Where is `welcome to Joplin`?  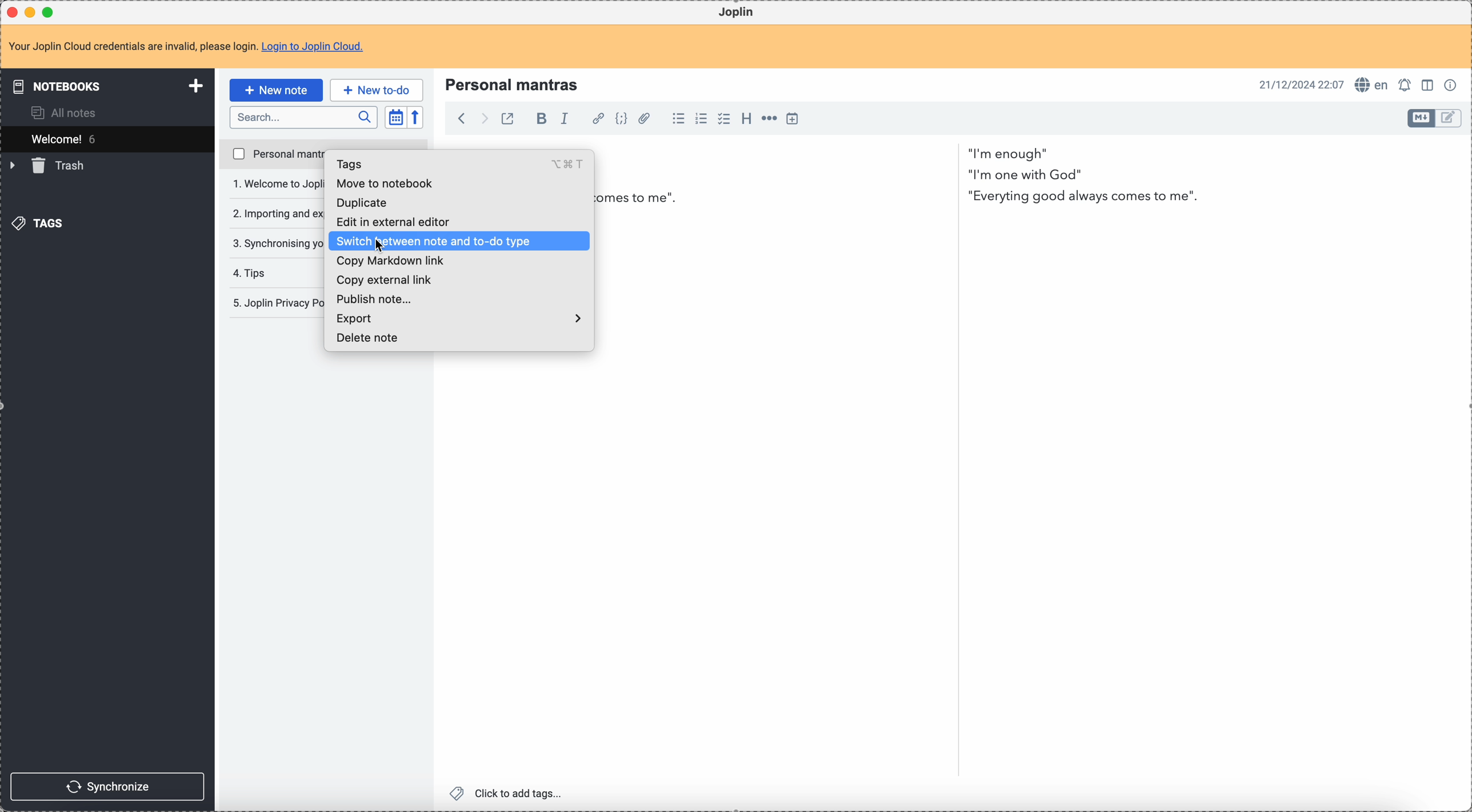 welcome to Joplin is located at coordinates (276, 183).